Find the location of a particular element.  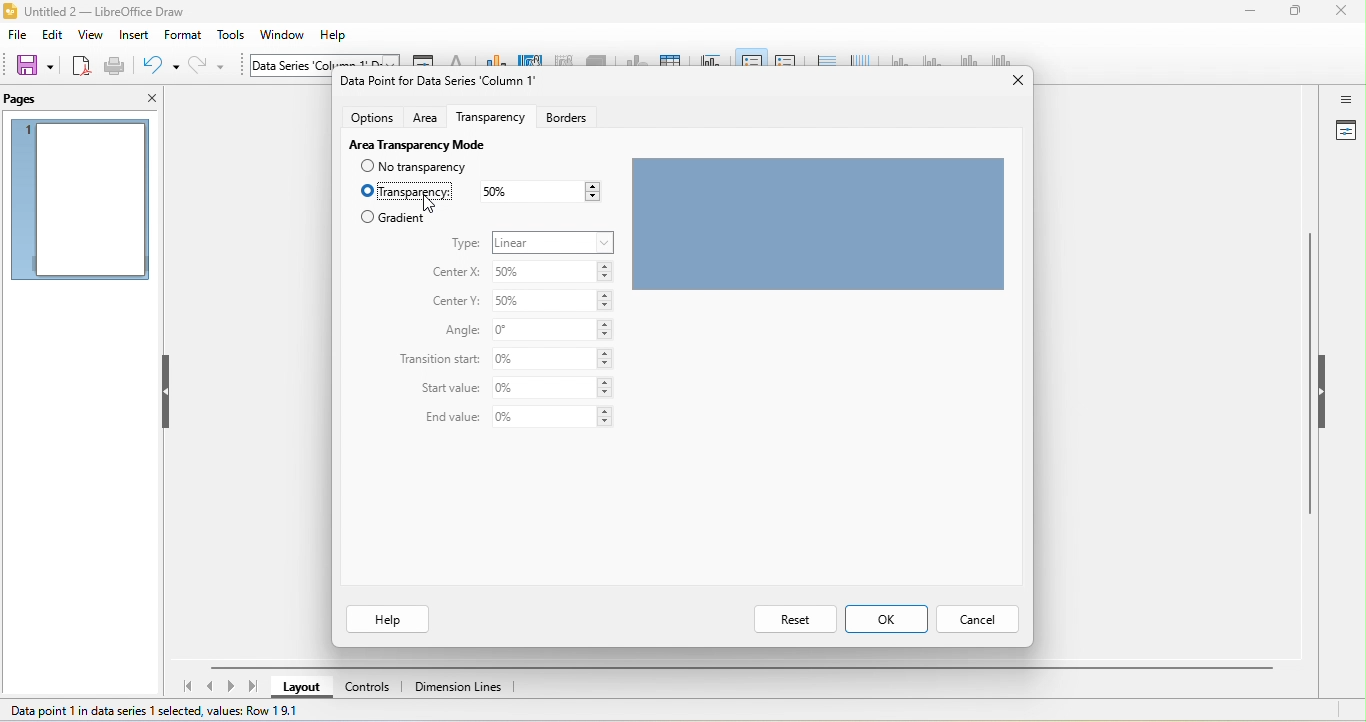

horizontal scroll bar is located at coordinates (739, 668).